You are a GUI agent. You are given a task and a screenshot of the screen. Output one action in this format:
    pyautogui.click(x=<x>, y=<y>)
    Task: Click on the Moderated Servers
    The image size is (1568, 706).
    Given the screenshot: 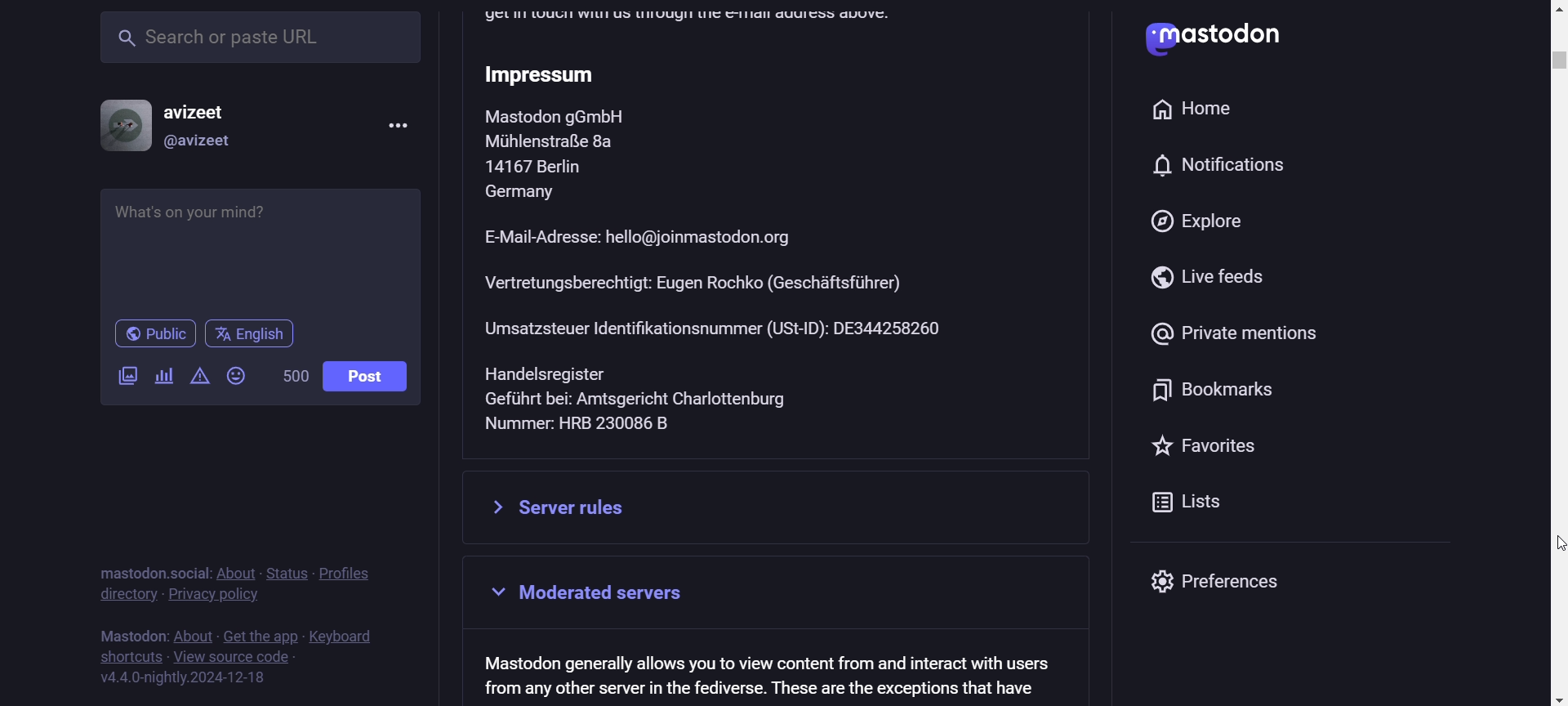 What is the action you would take?
    pyautogui.click(x=787, y=595)
    